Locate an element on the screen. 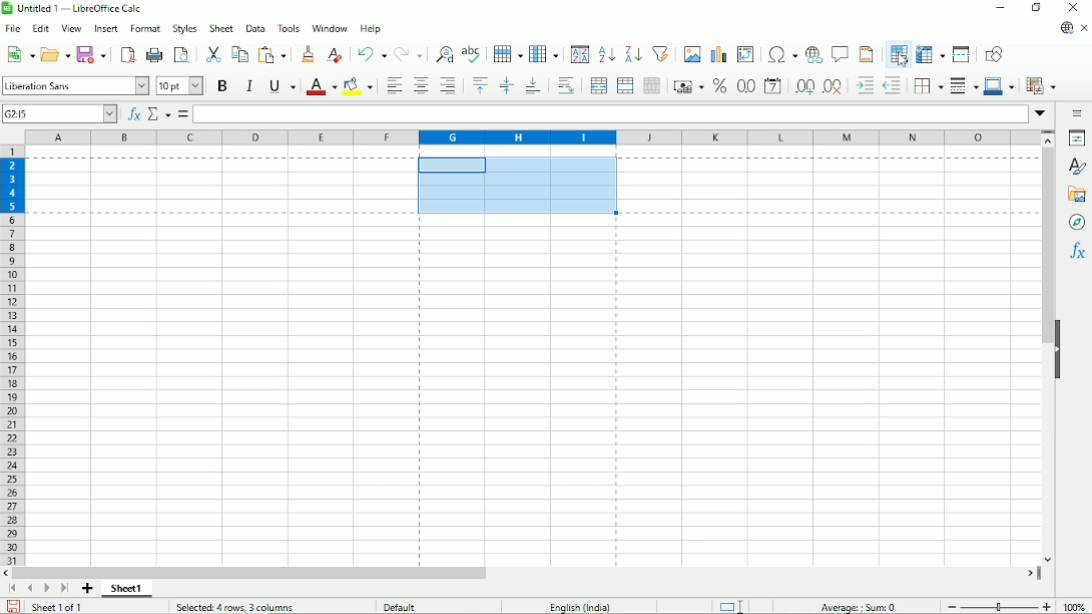 The width and height of the screenshot is (1092, 614). Functions is located at coordinates (1076, 254).